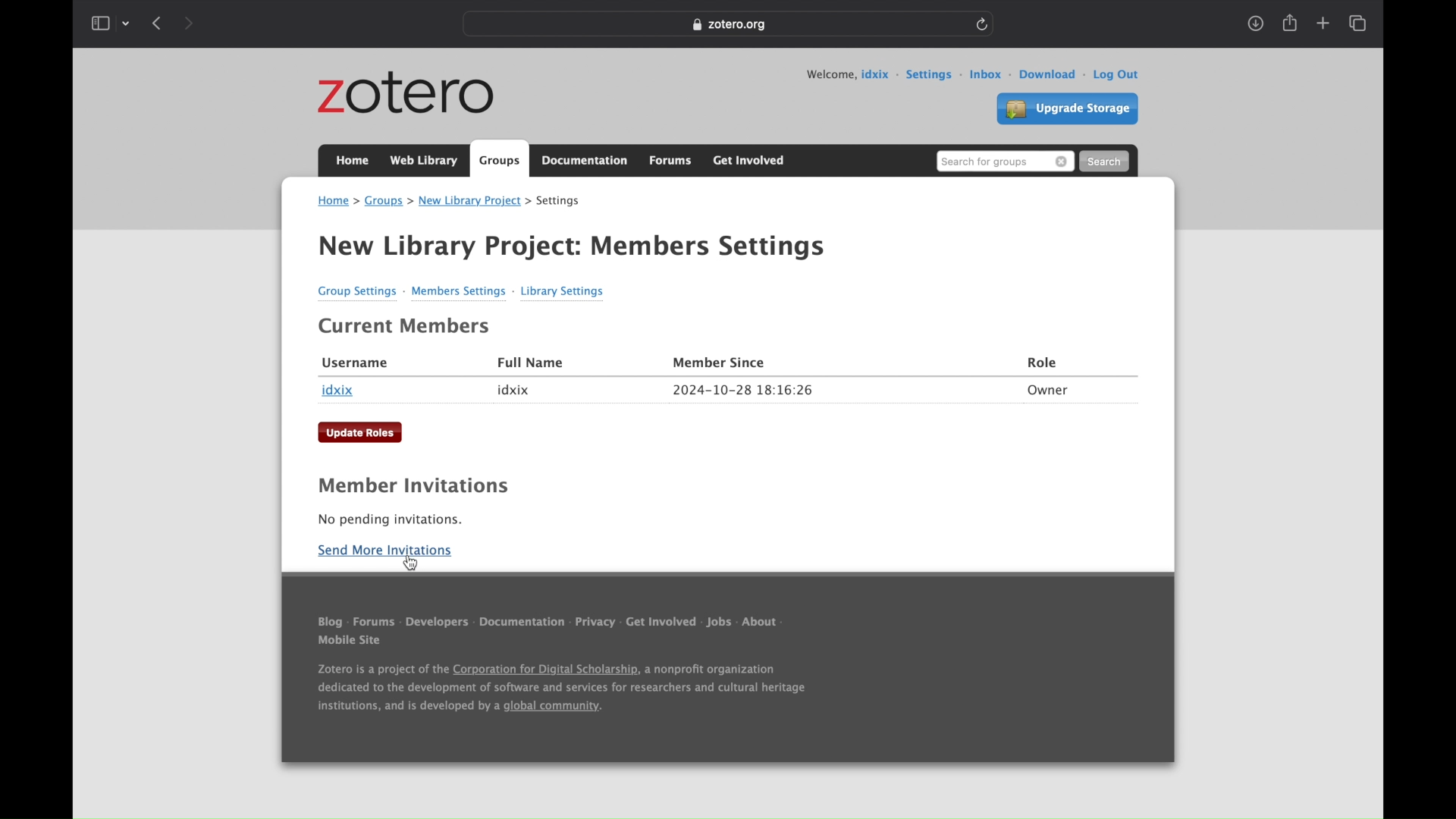 The image size is (1456, 819). What do you see at coordinates (463, 291) in the screenshot?
I see `member settings` at bounding box center [463, 291].